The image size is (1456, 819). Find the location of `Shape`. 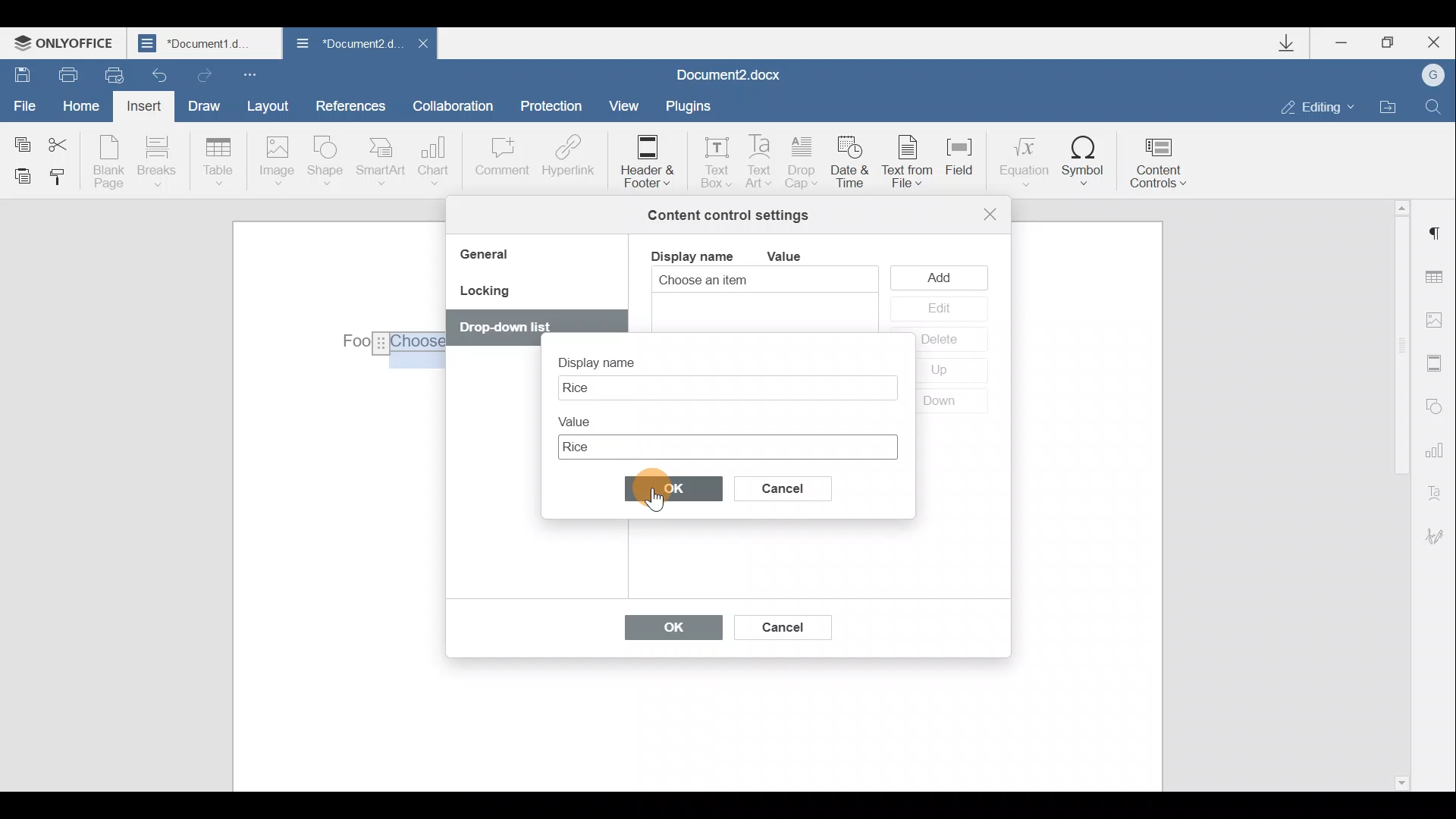

Shape is located at coordinates (328, 163).